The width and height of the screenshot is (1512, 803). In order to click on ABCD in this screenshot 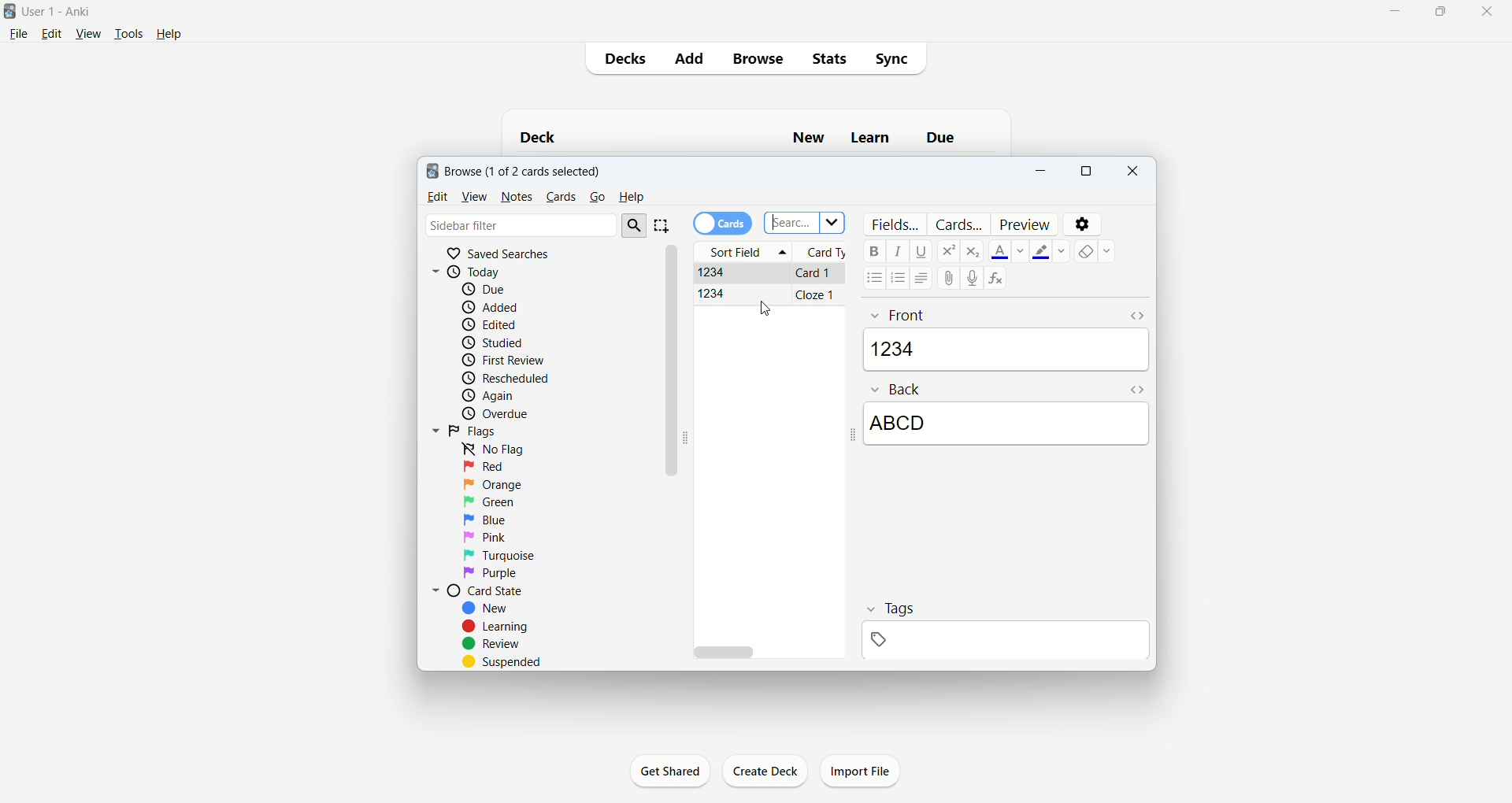, I will do `click(1005, 424)`.